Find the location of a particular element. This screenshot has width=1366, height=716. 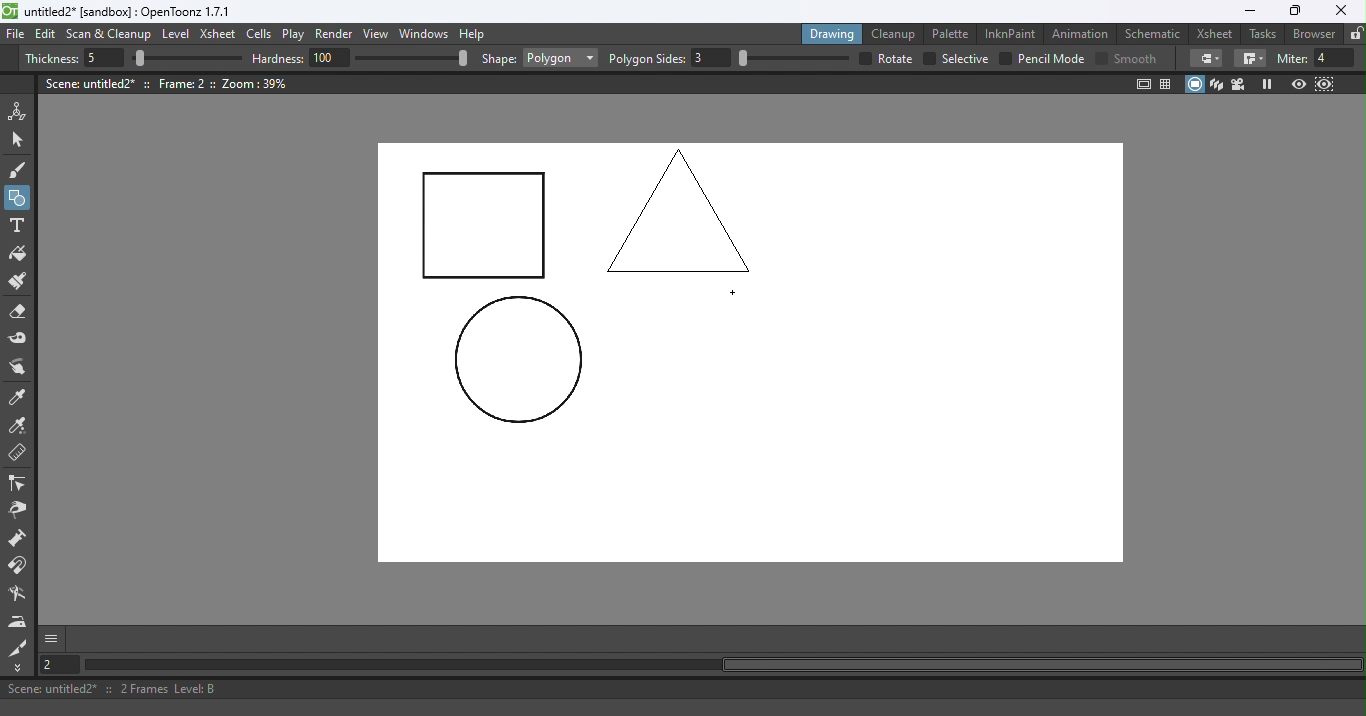

Edit is located at coordinates (48, 34).